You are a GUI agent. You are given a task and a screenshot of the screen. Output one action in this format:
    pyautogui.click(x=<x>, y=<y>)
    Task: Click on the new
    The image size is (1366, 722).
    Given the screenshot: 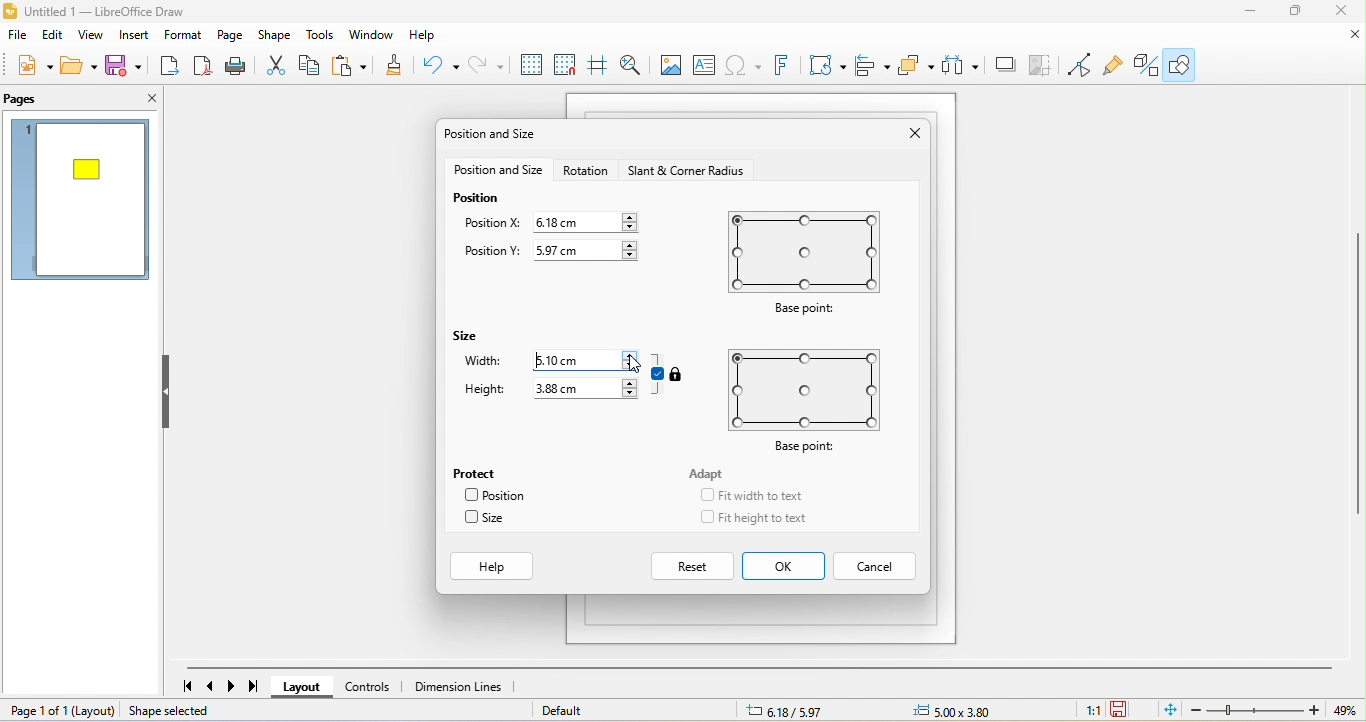 What is the action you would take?
    pyautogui.click(x=28, y=67)
    